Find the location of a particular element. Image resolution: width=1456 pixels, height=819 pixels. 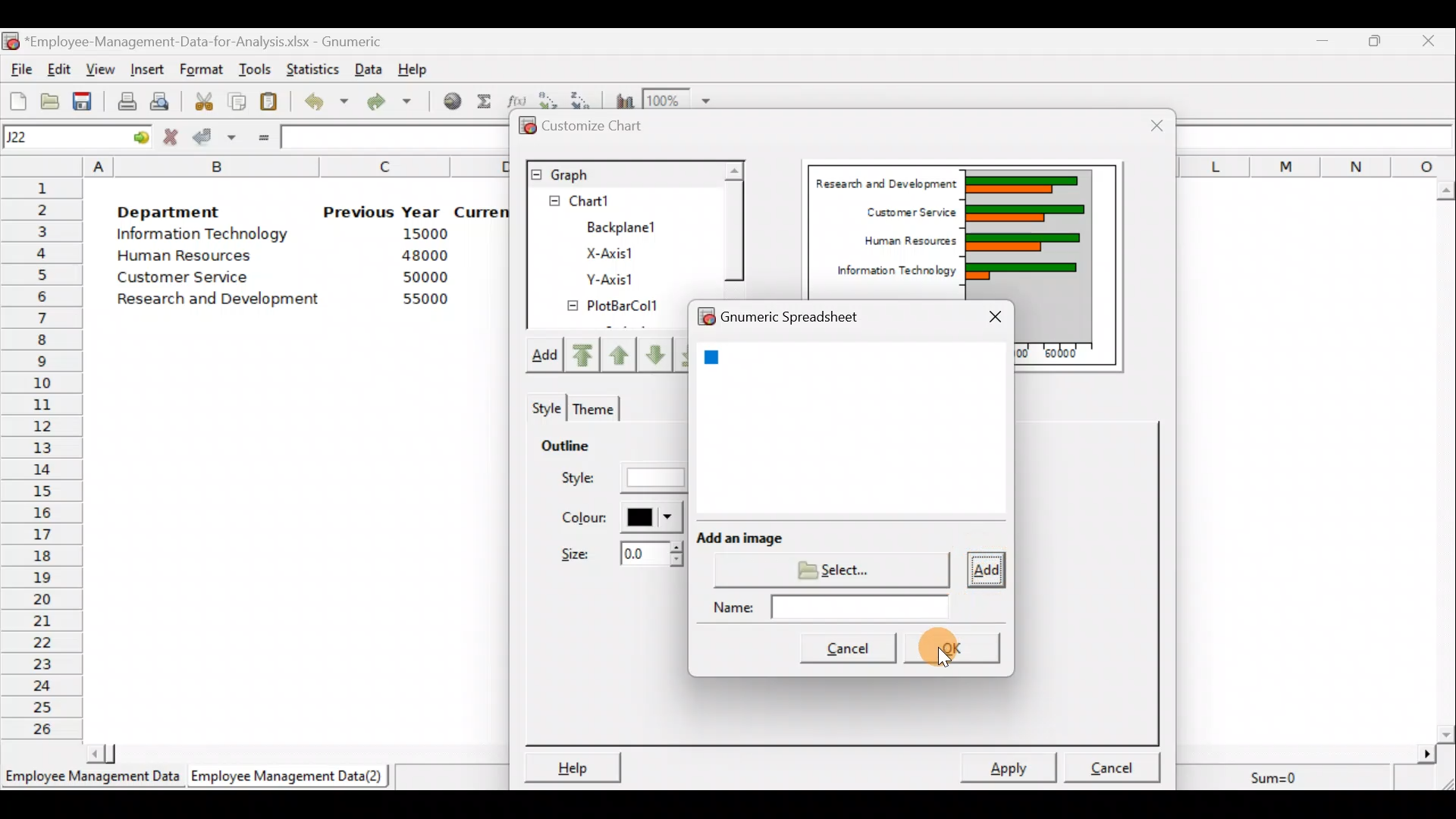

BackPlane1 is located at coordinates (631, 225).